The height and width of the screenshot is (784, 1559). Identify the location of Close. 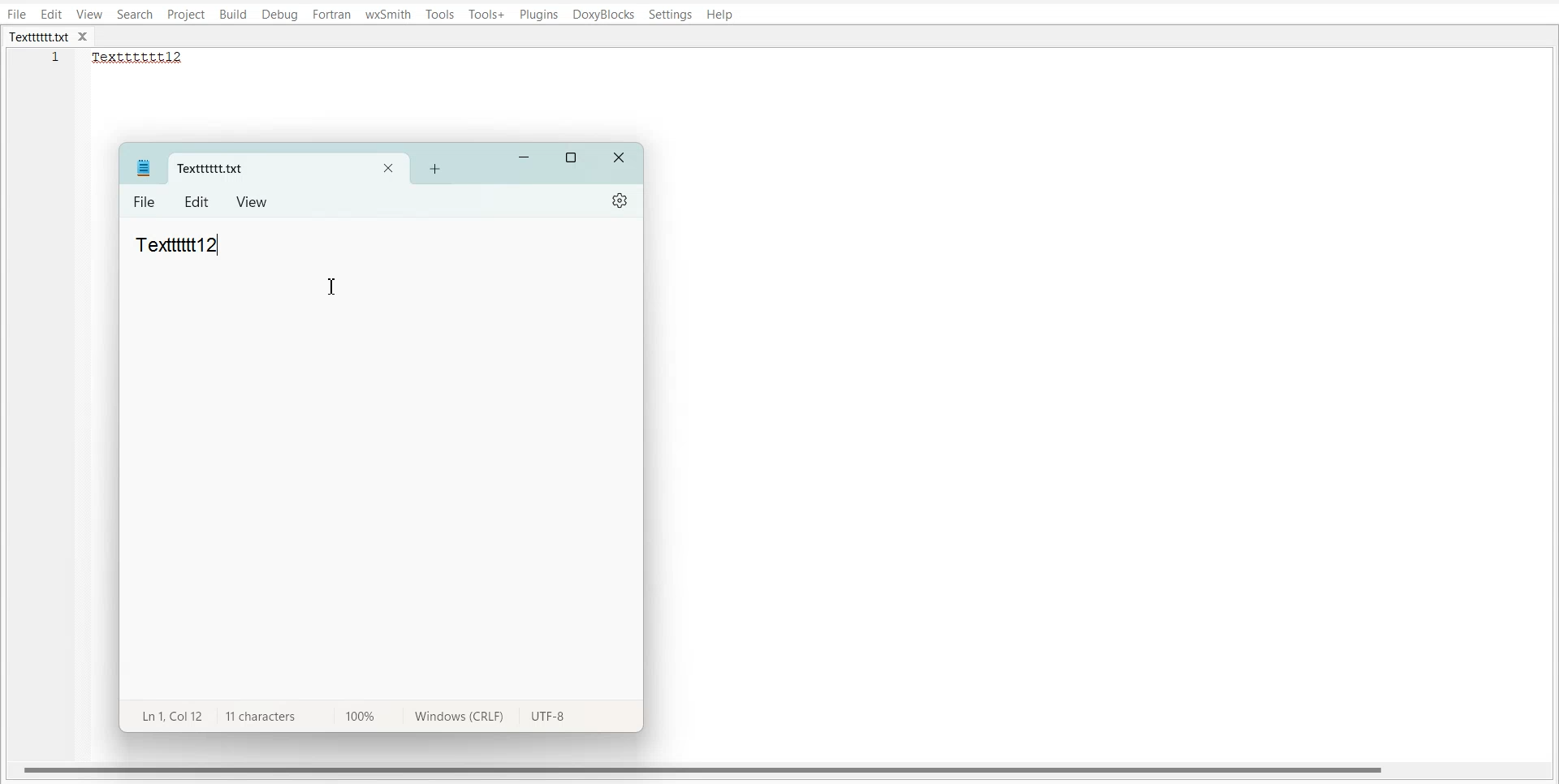
(388, 170).